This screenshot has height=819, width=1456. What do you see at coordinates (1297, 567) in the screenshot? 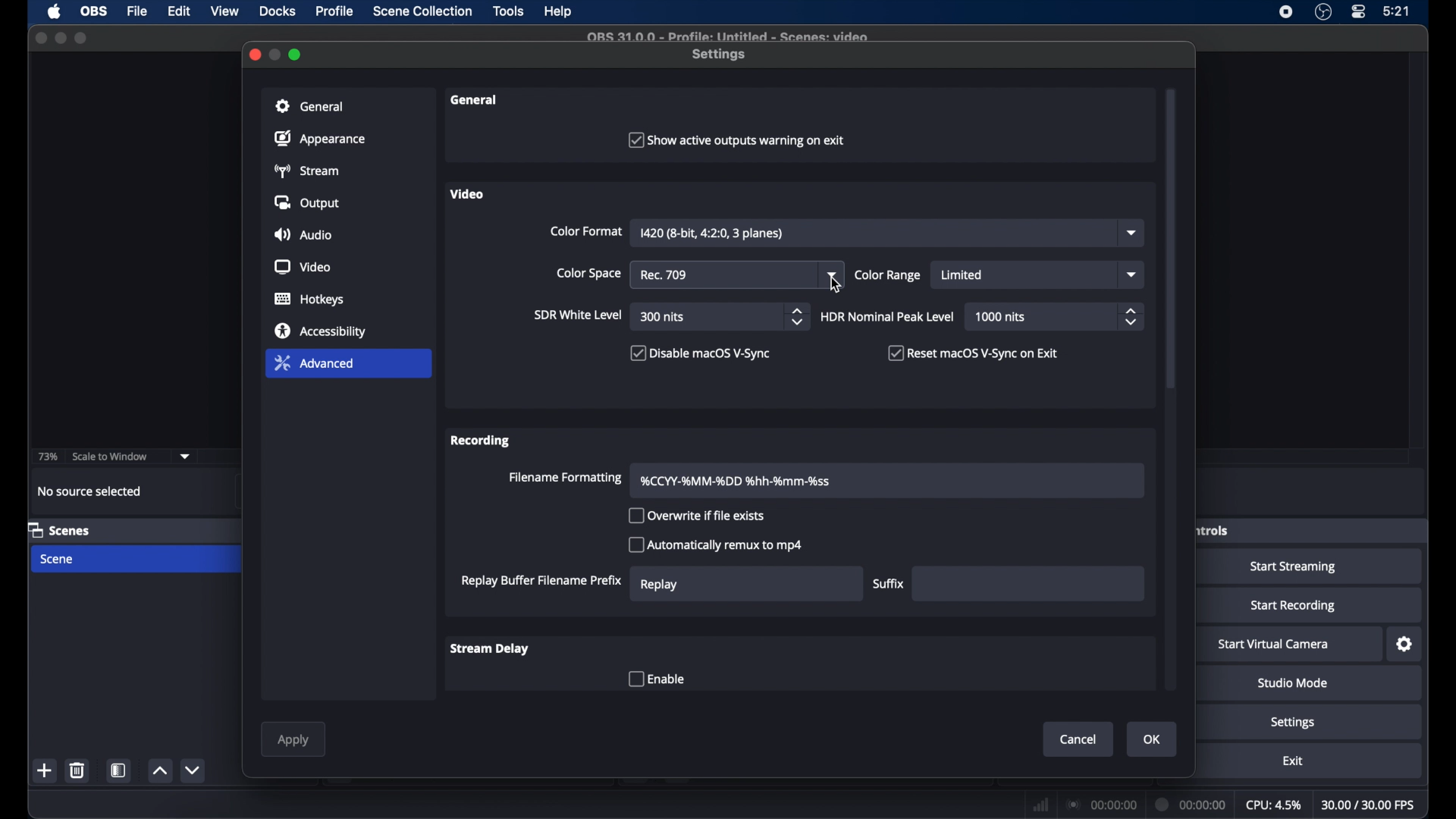
I see `start streaming` at bounding box center [1297, 567].